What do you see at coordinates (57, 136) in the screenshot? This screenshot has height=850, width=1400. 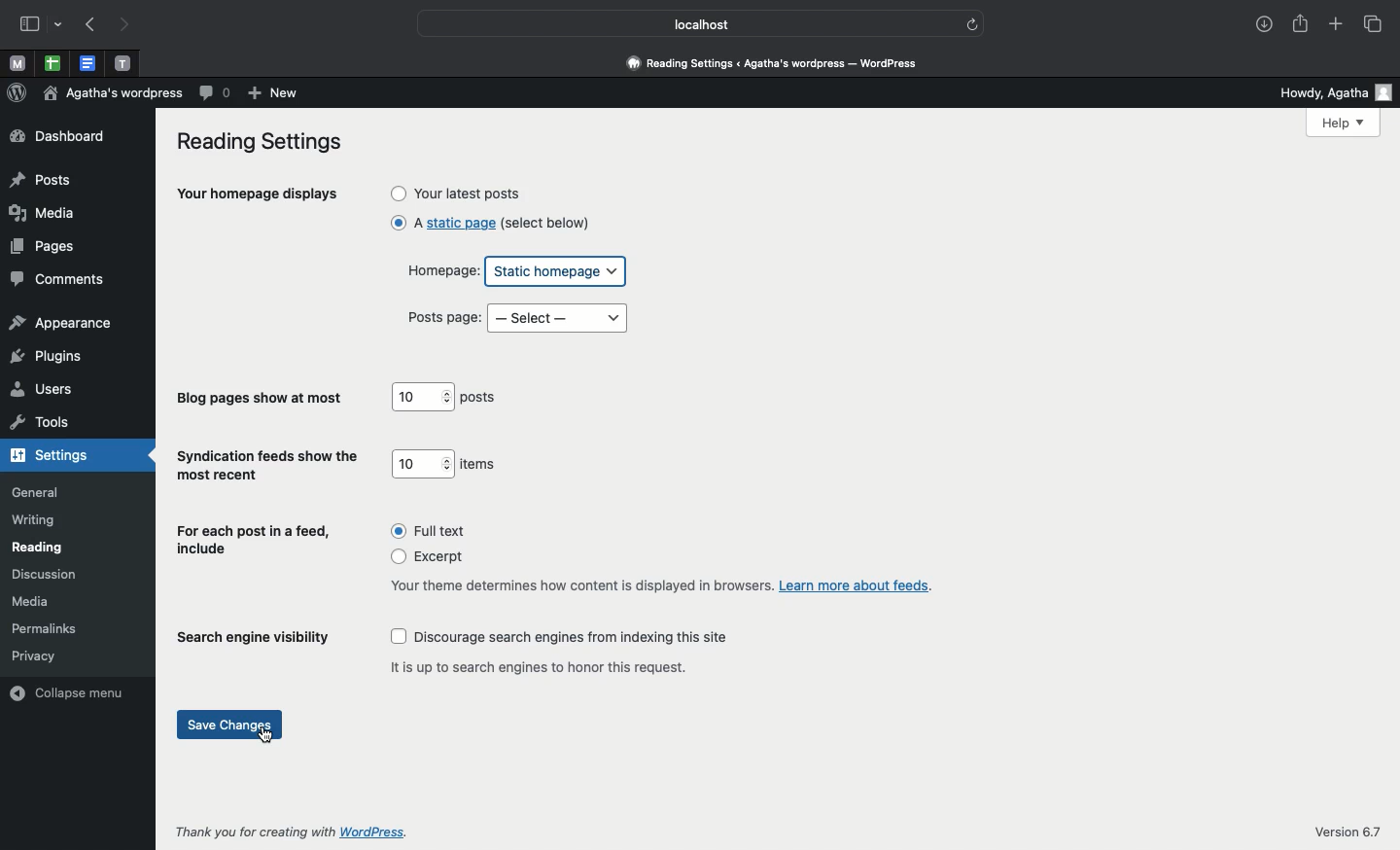 I see `dashboard ` at bounding box center [57, 136].